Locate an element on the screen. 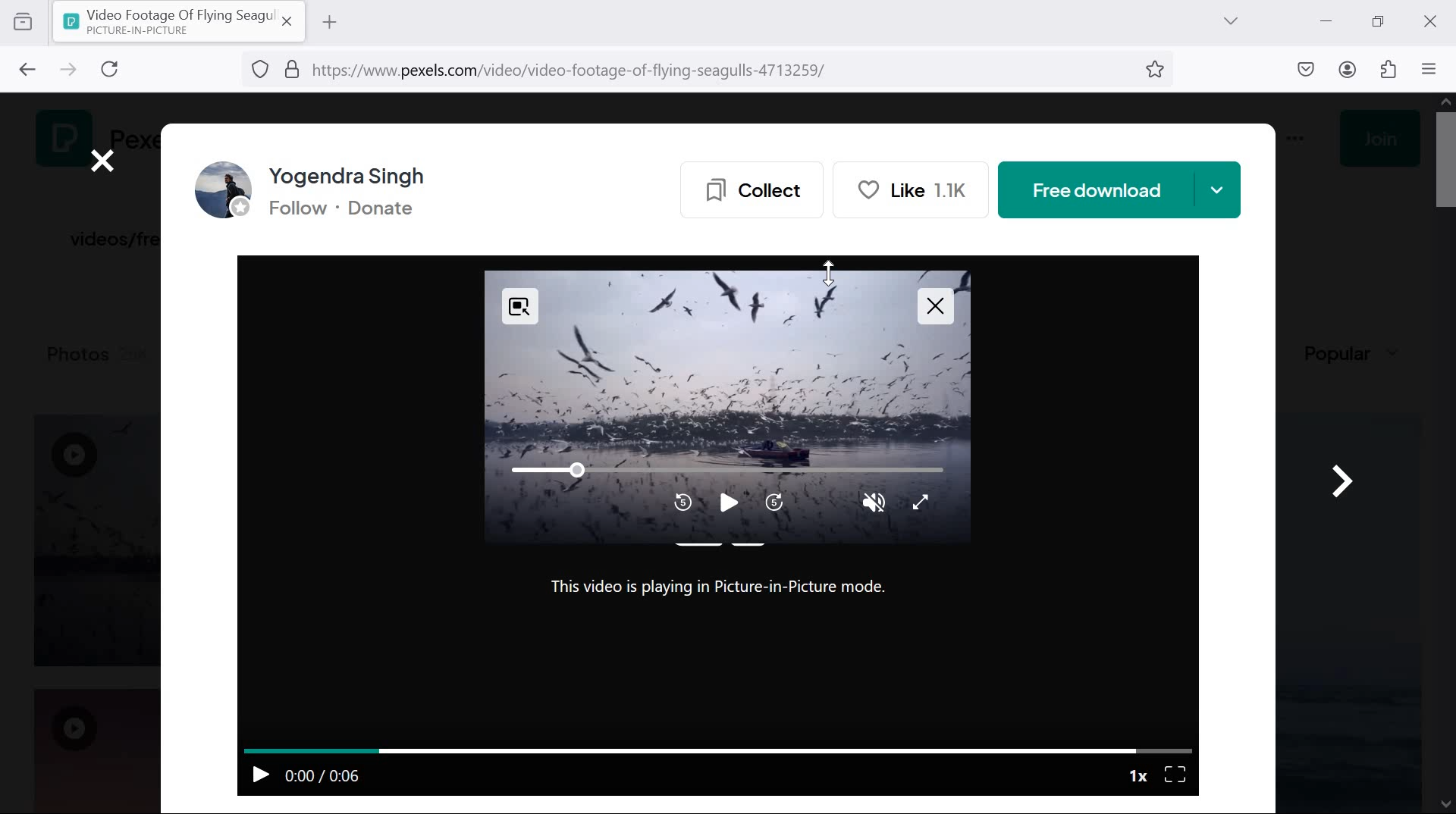  add tab is located at coordinates (329, 22).